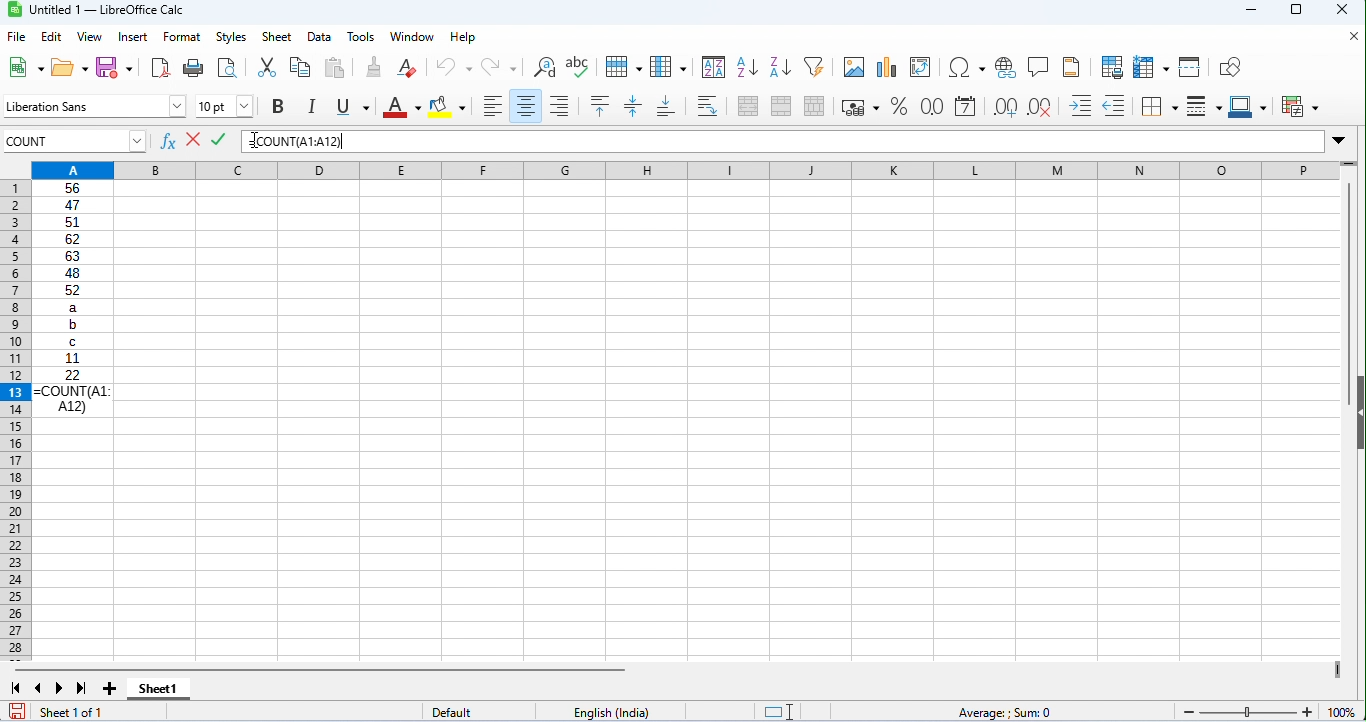 This screenshot has height=722, width=1366. Describe the element at coordinates (462, 38) in the screenshot. I see `help` at that location.